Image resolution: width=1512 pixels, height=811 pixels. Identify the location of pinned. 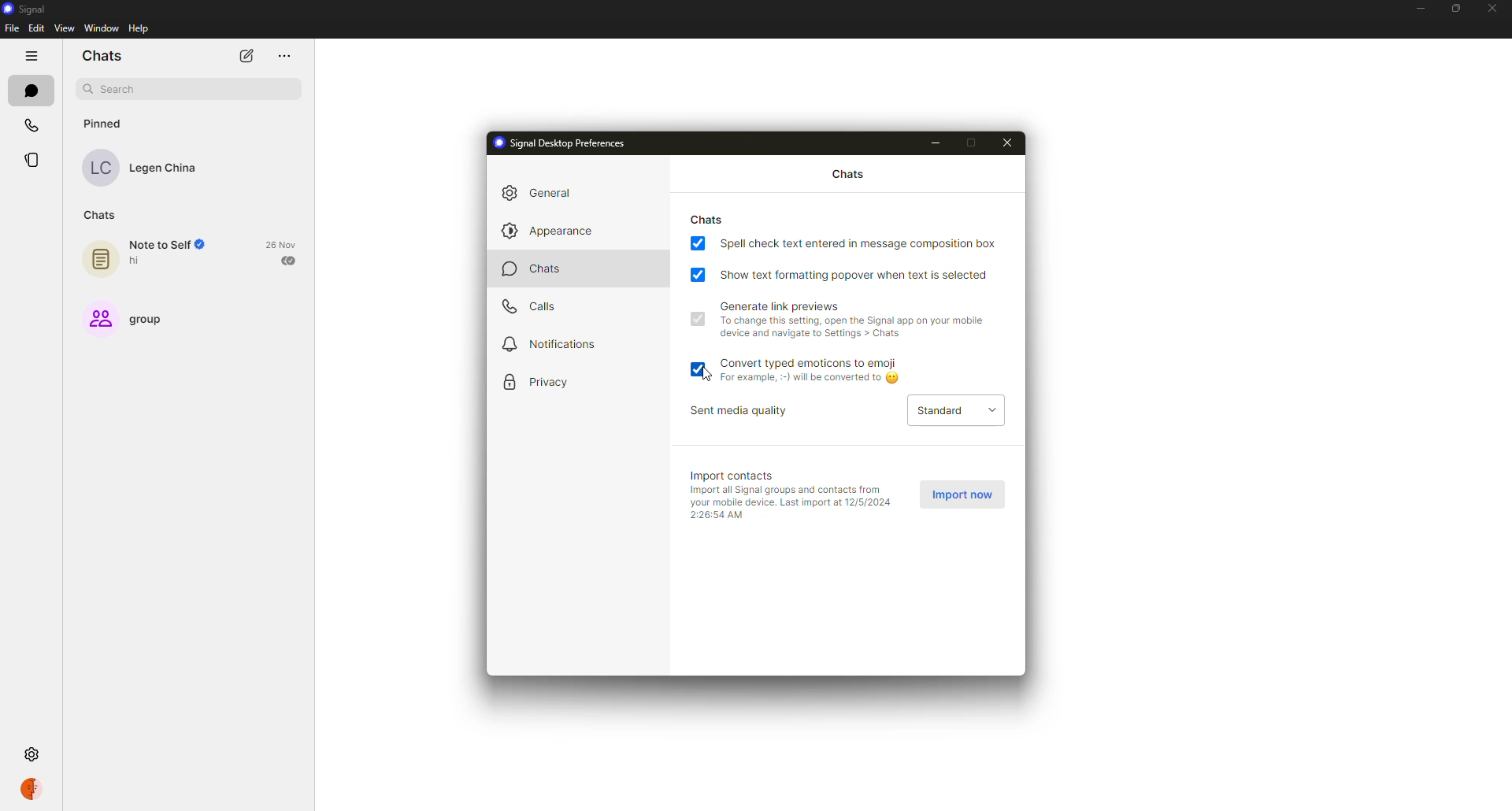
(102, 124).